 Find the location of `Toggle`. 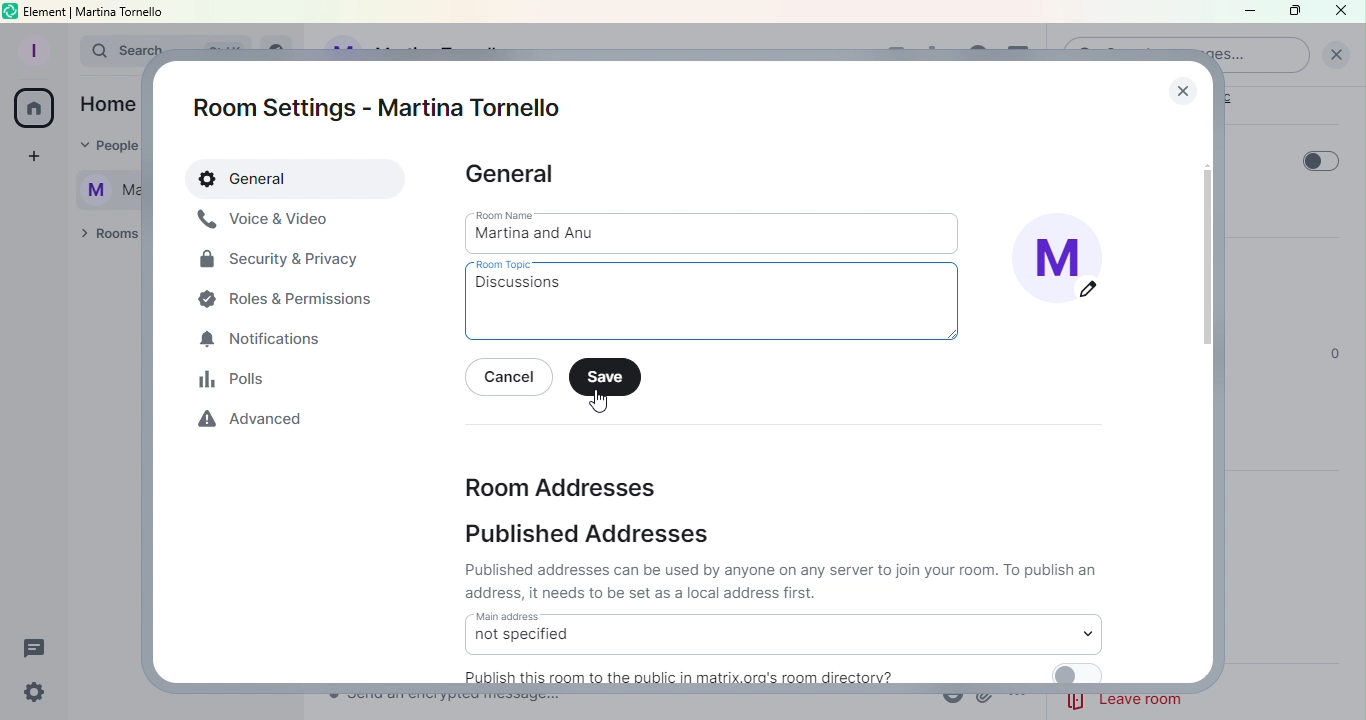

Toggle is located at coordinates (1321, 161).